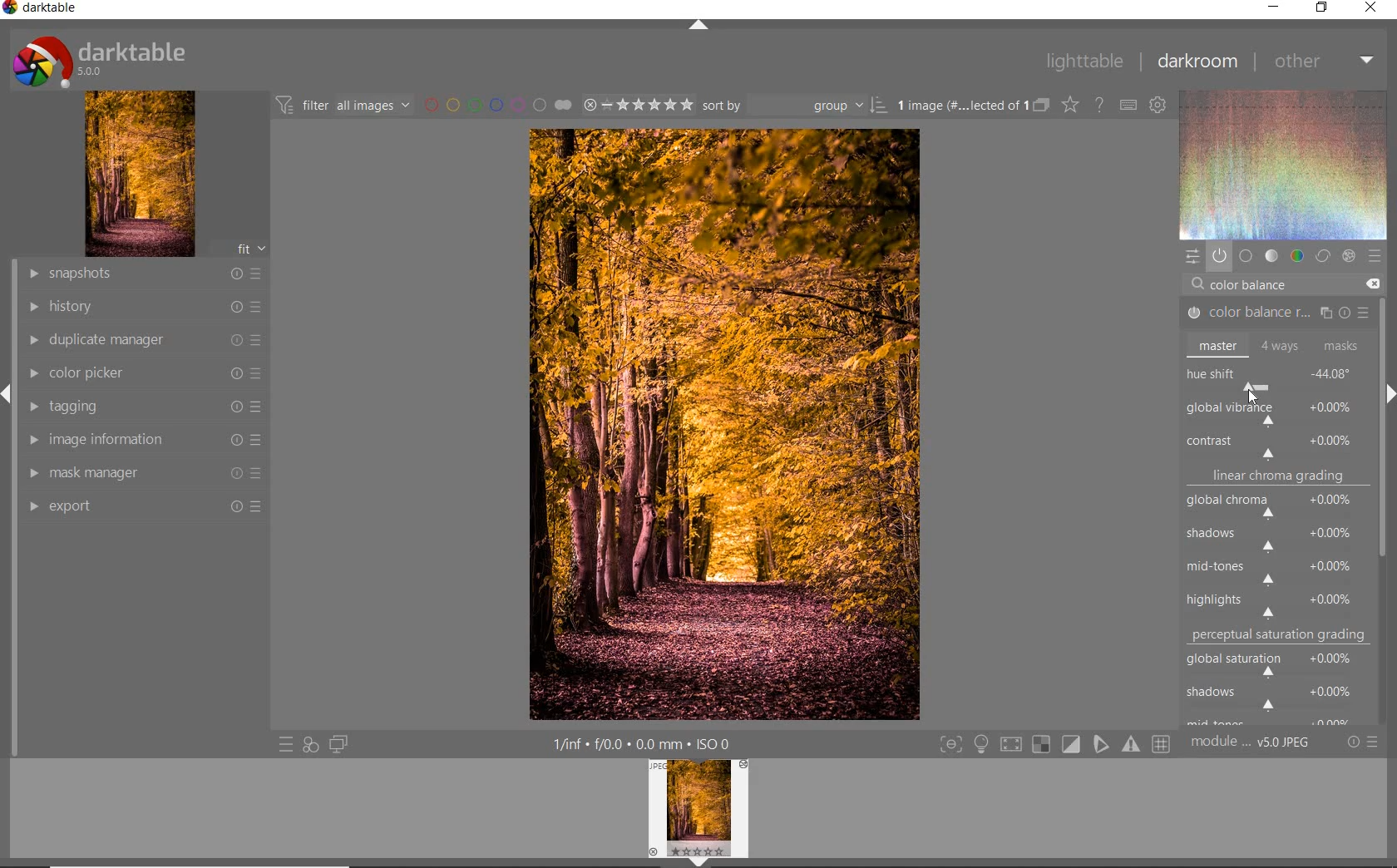 The width and height of the screenshot is (1397, 868). Describe the element at coordinates (1276, 445) in the screenshot. I see `contrast` at that location.